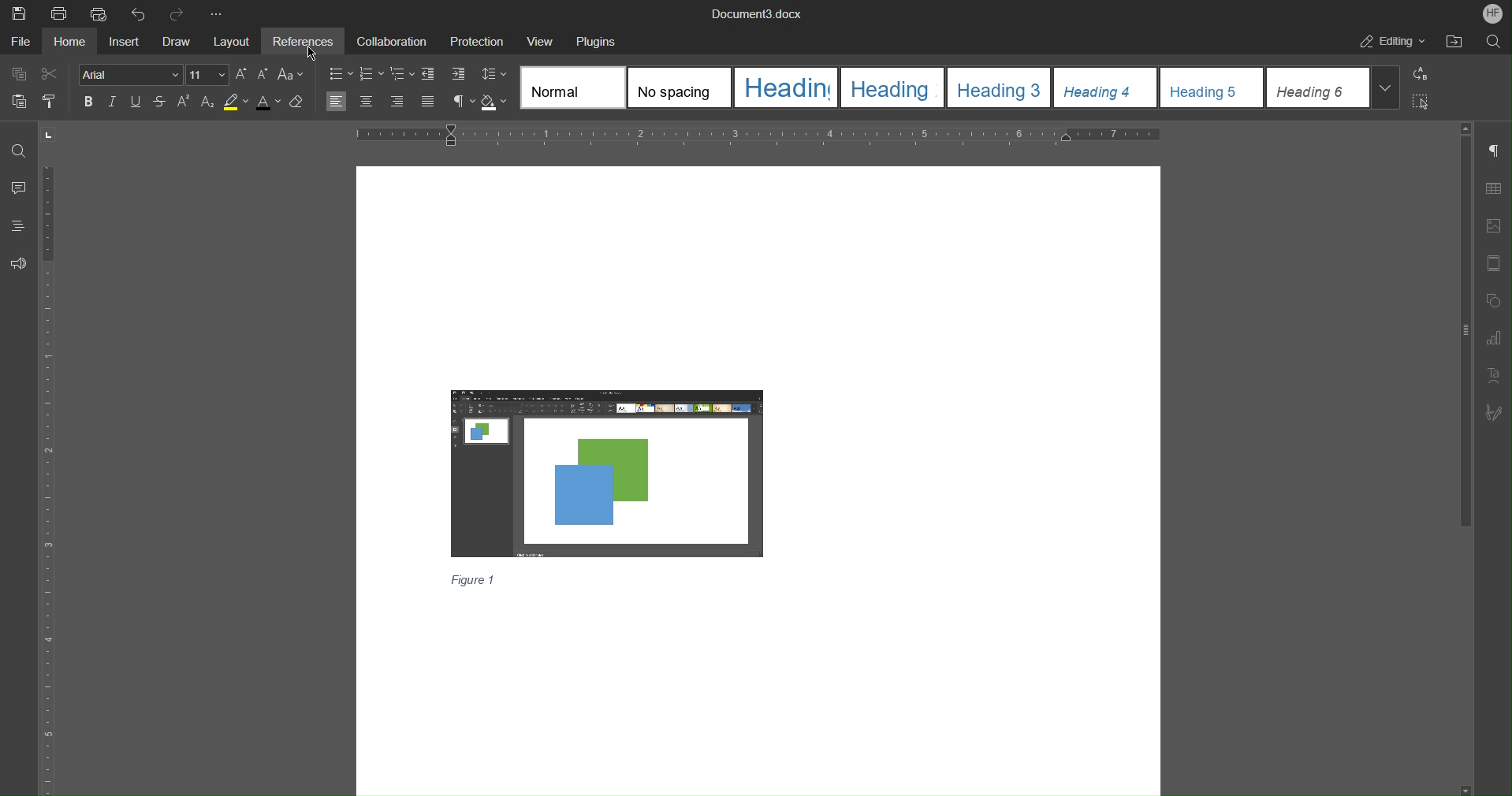  Describe the element at coordinates (50, 101) in the screenshot. I see `Copy Style` at that location.